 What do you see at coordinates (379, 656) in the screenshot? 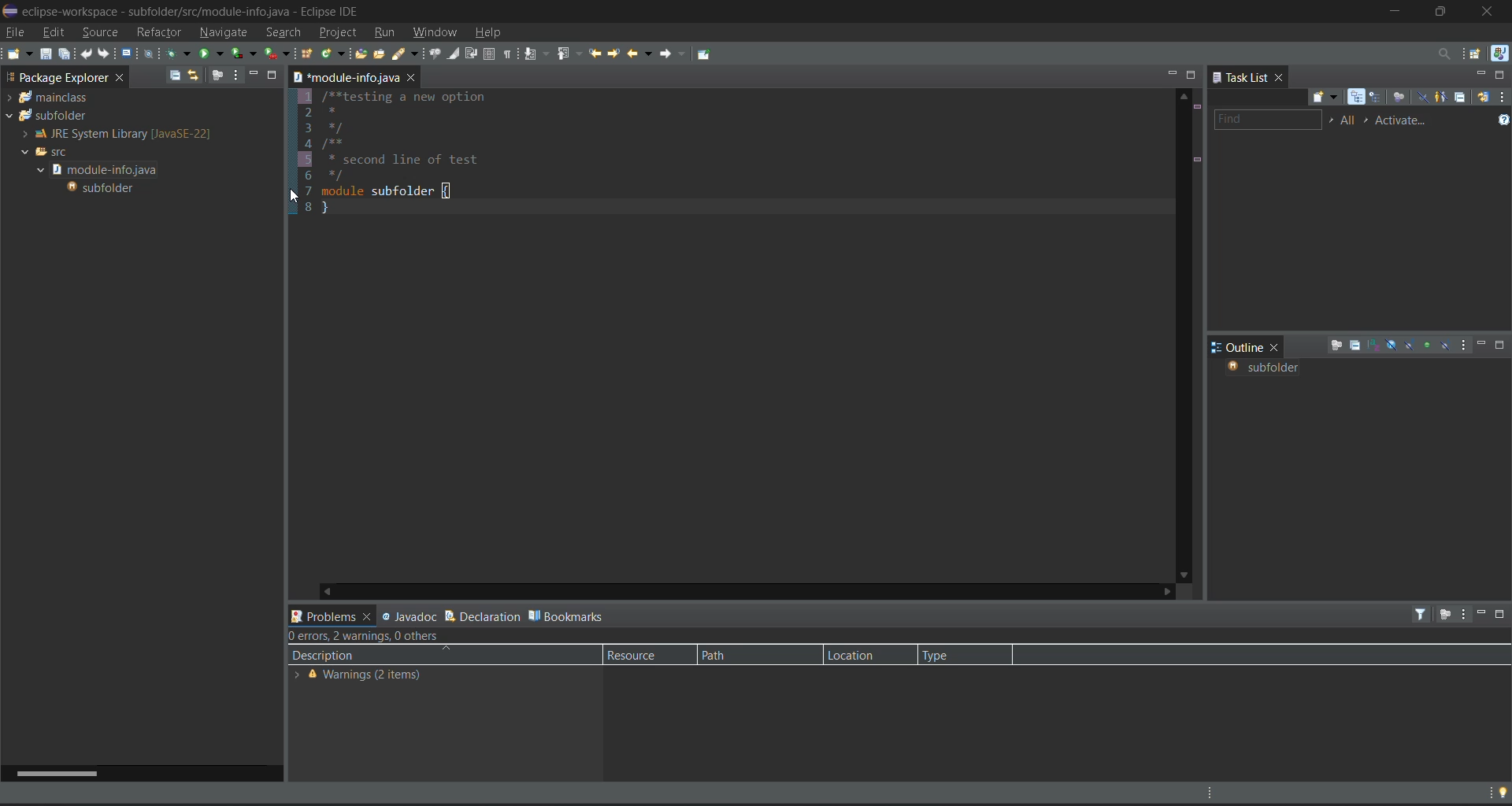
I see `description` at bounding box center [379, 656].